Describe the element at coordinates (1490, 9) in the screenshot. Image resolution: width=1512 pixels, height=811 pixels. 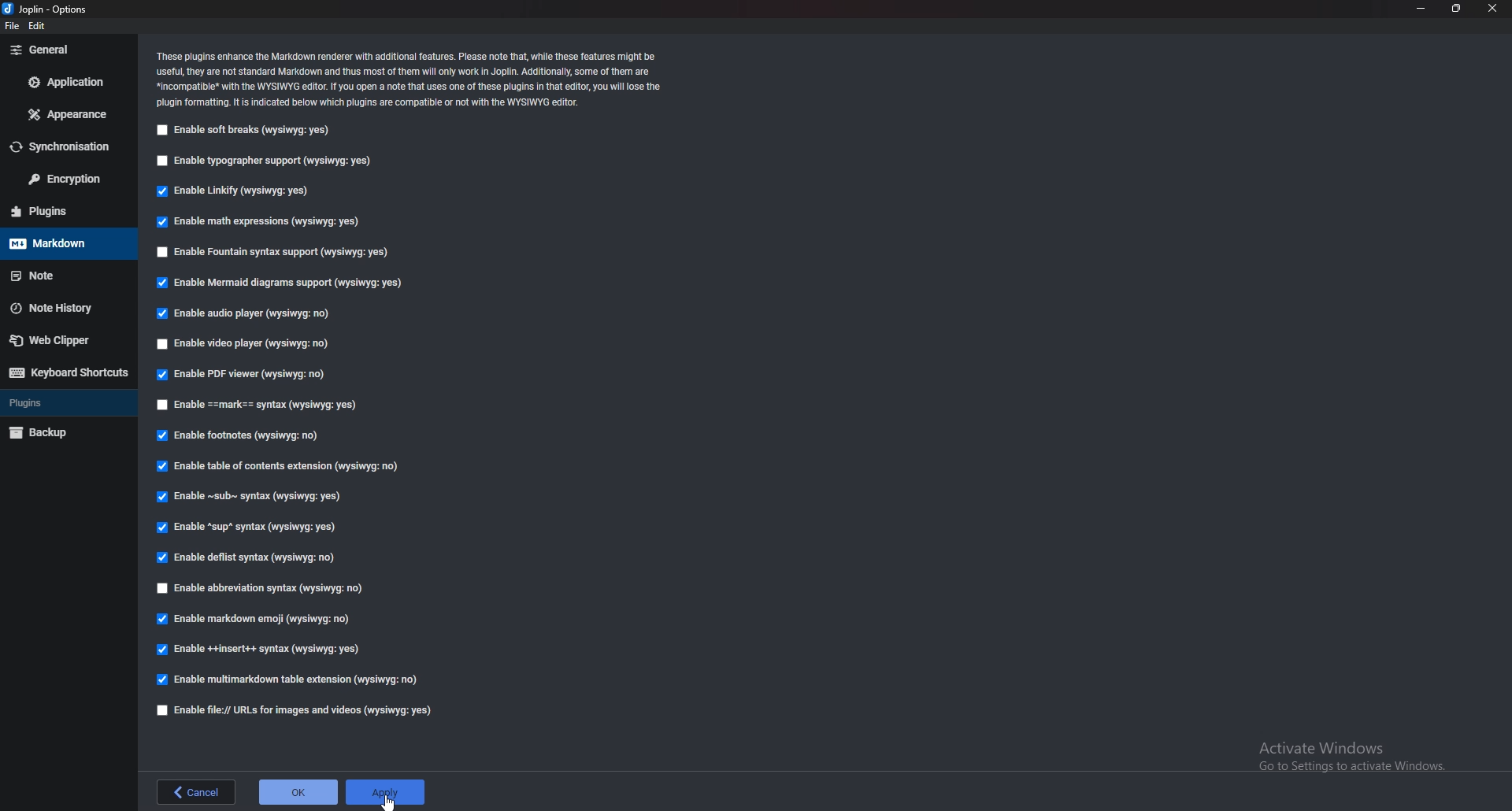
I see `close` at that location.